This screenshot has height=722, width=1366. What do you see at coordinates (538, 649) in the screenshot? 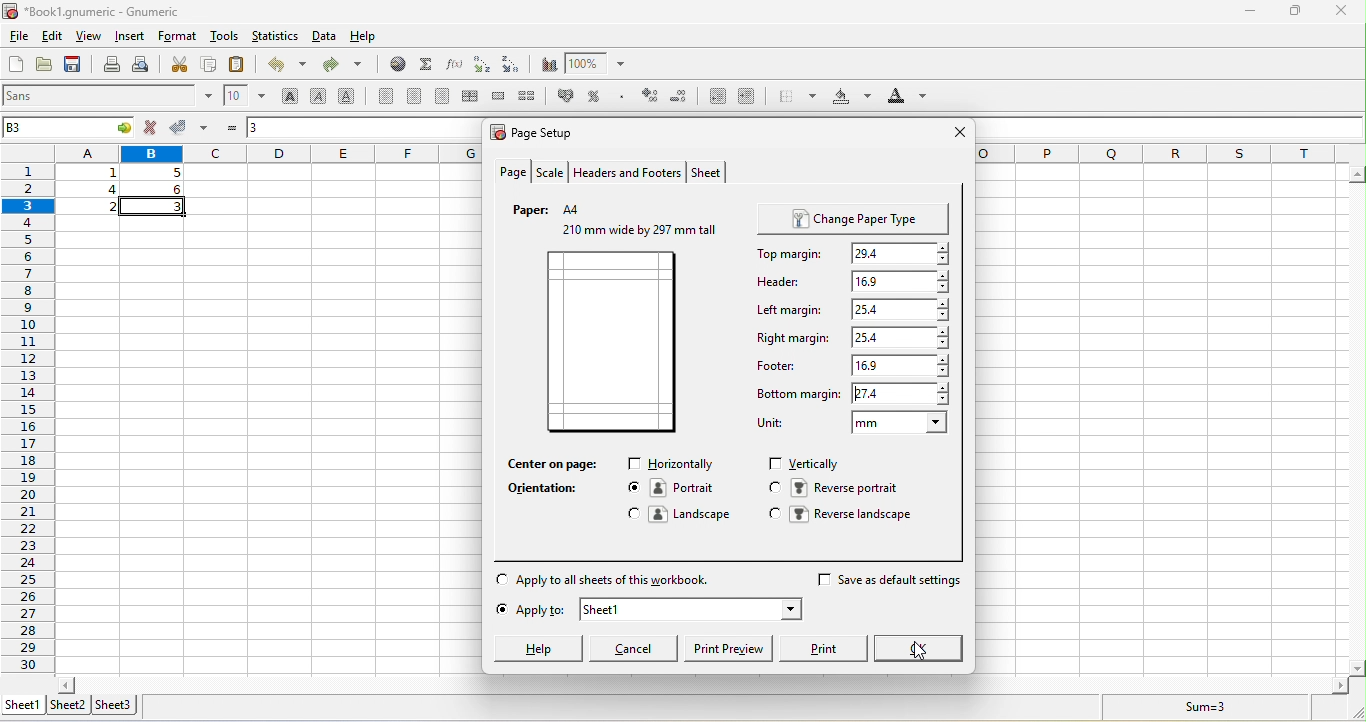
I see `help` at bounding box center [538, 649].